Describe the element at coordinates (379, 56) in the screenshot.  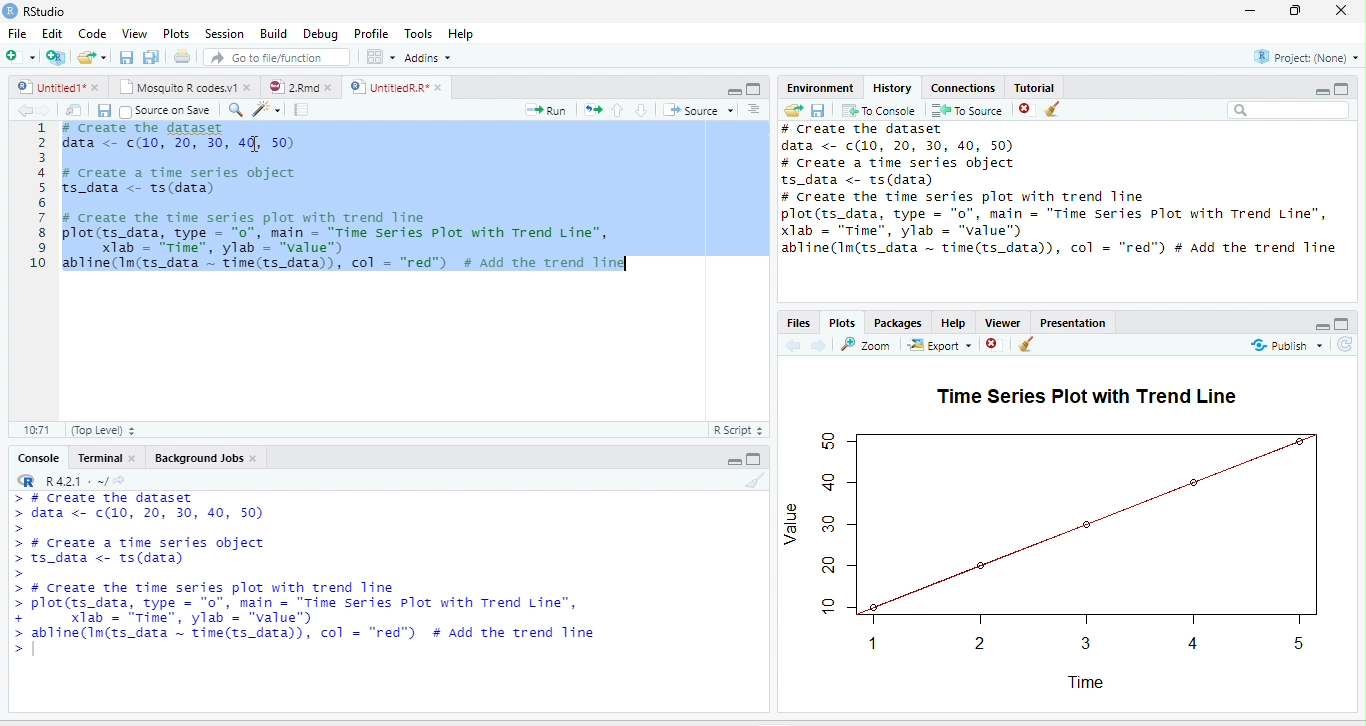
I see `Workspace panes` at that location.